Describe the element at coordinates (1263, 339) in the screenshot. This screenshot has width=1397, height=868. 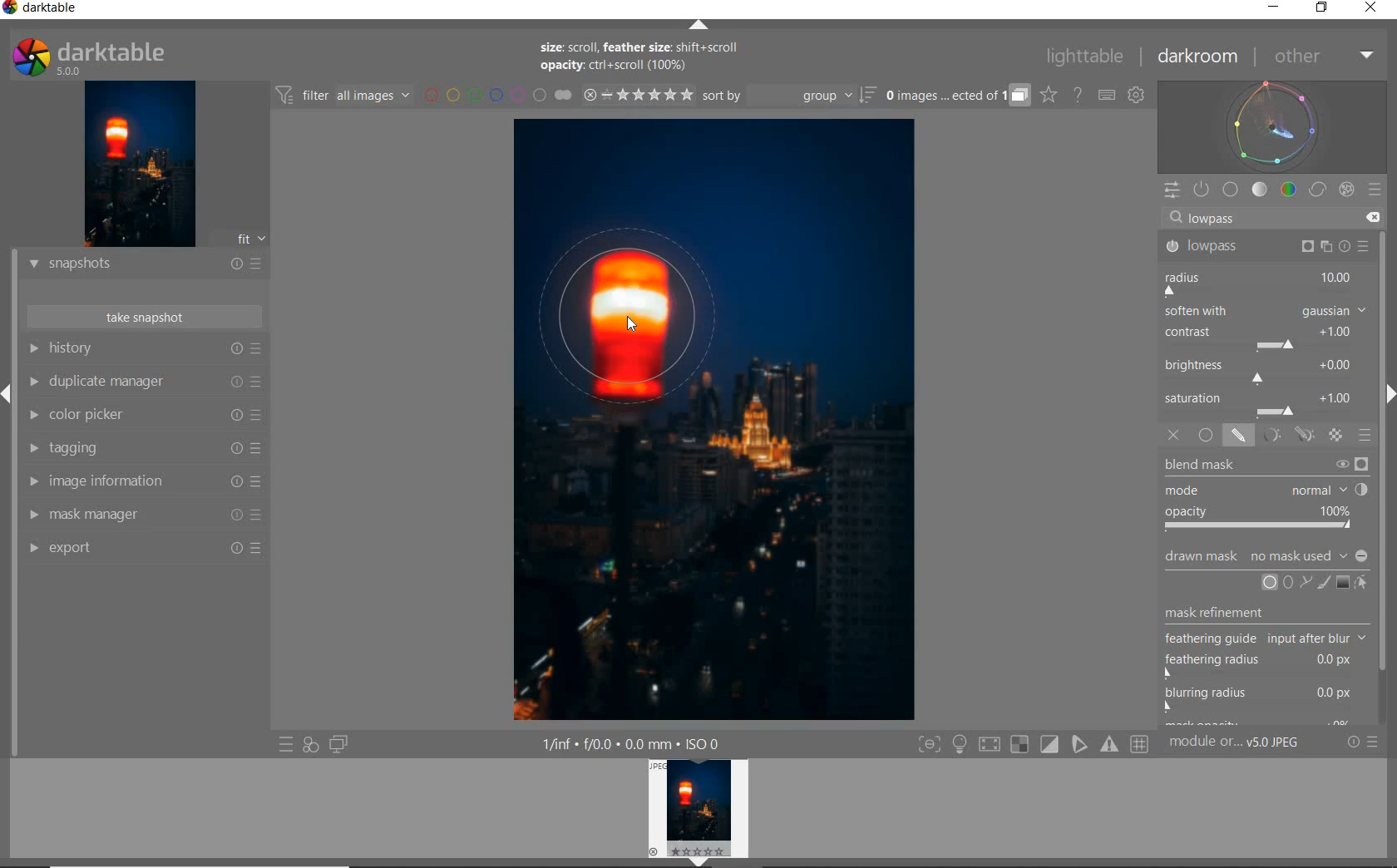
I see `CONTRAST` at that location.